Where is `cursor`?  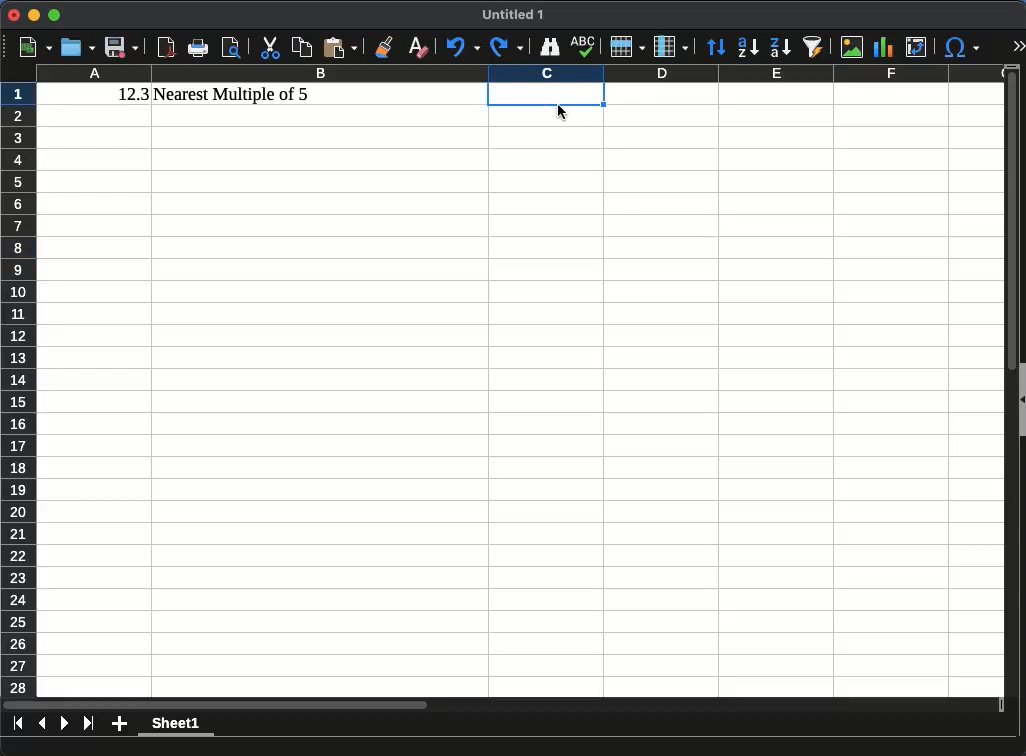
cursor is located at coordinates (562, 114).